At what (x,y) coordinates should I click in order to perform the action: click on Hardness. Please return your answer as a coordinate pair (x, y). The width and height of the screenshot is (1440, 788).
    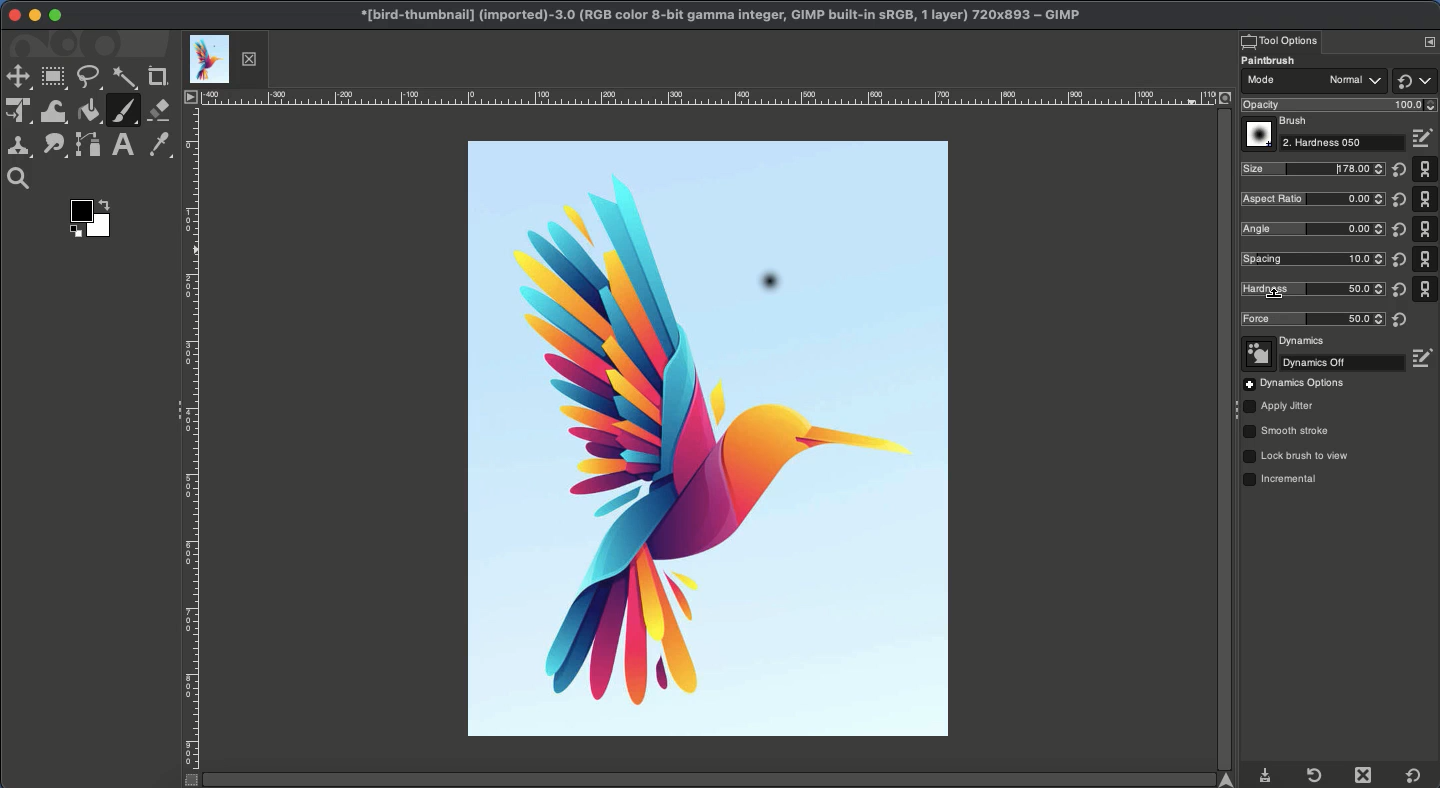
    Looking at the image, I should click on (1344, 143).